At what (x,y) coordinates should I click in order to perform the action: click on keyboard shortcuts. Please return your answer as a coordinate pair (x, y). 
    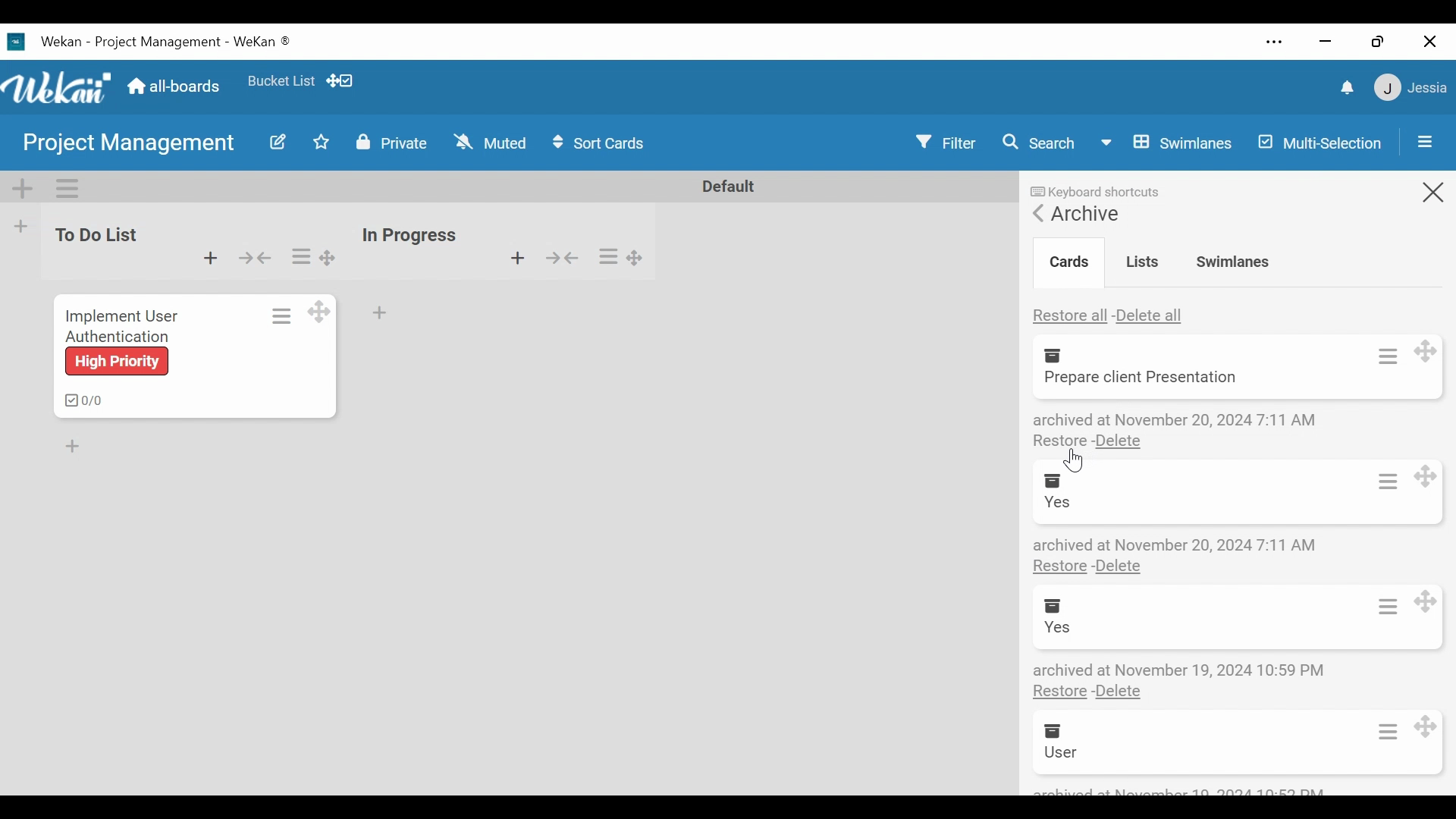
    Looking at the image, I should click on (1100, 186).